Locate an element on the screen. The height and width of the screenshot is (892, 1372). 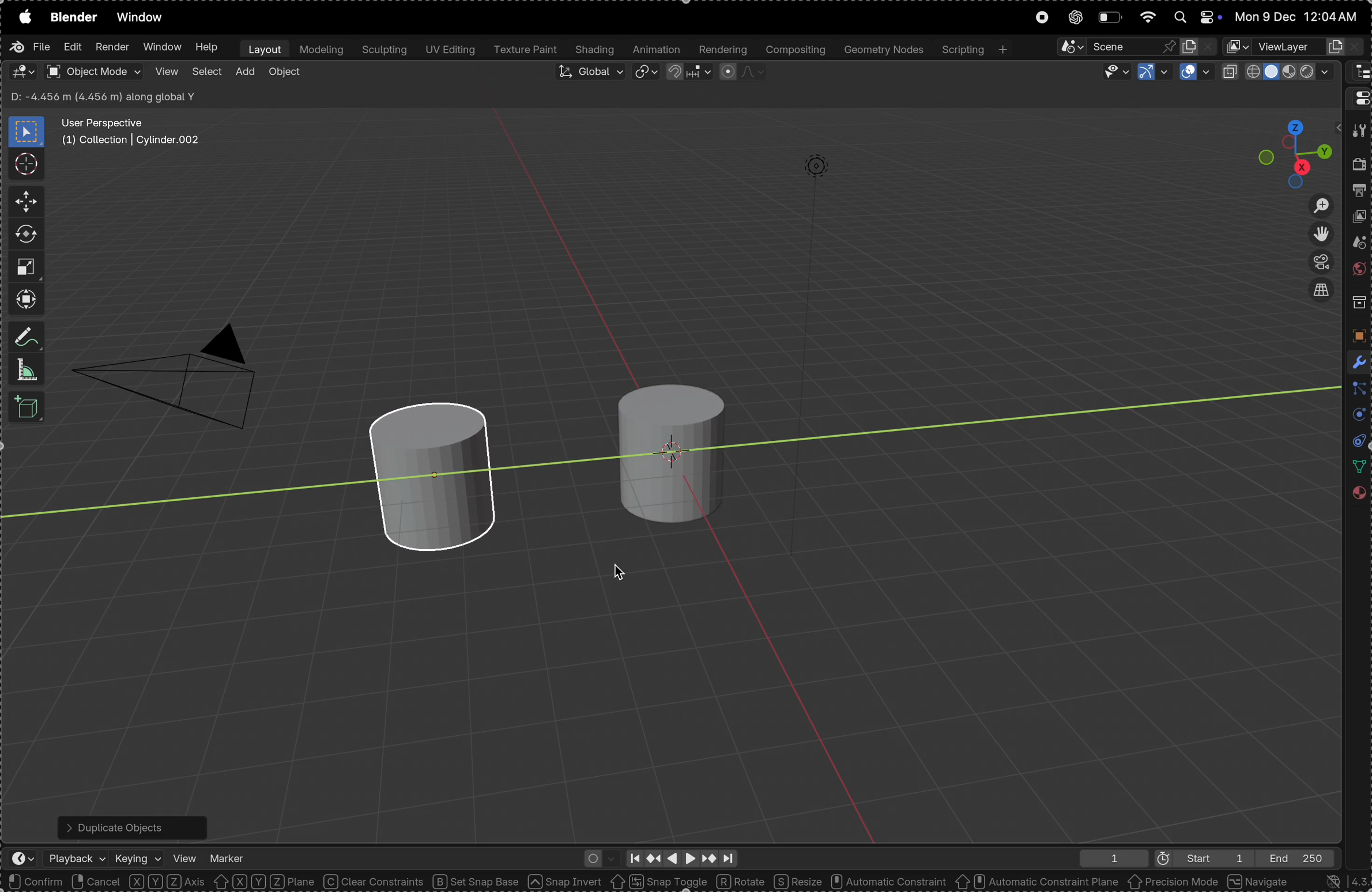
Plane is located at coordinates (294, 882).